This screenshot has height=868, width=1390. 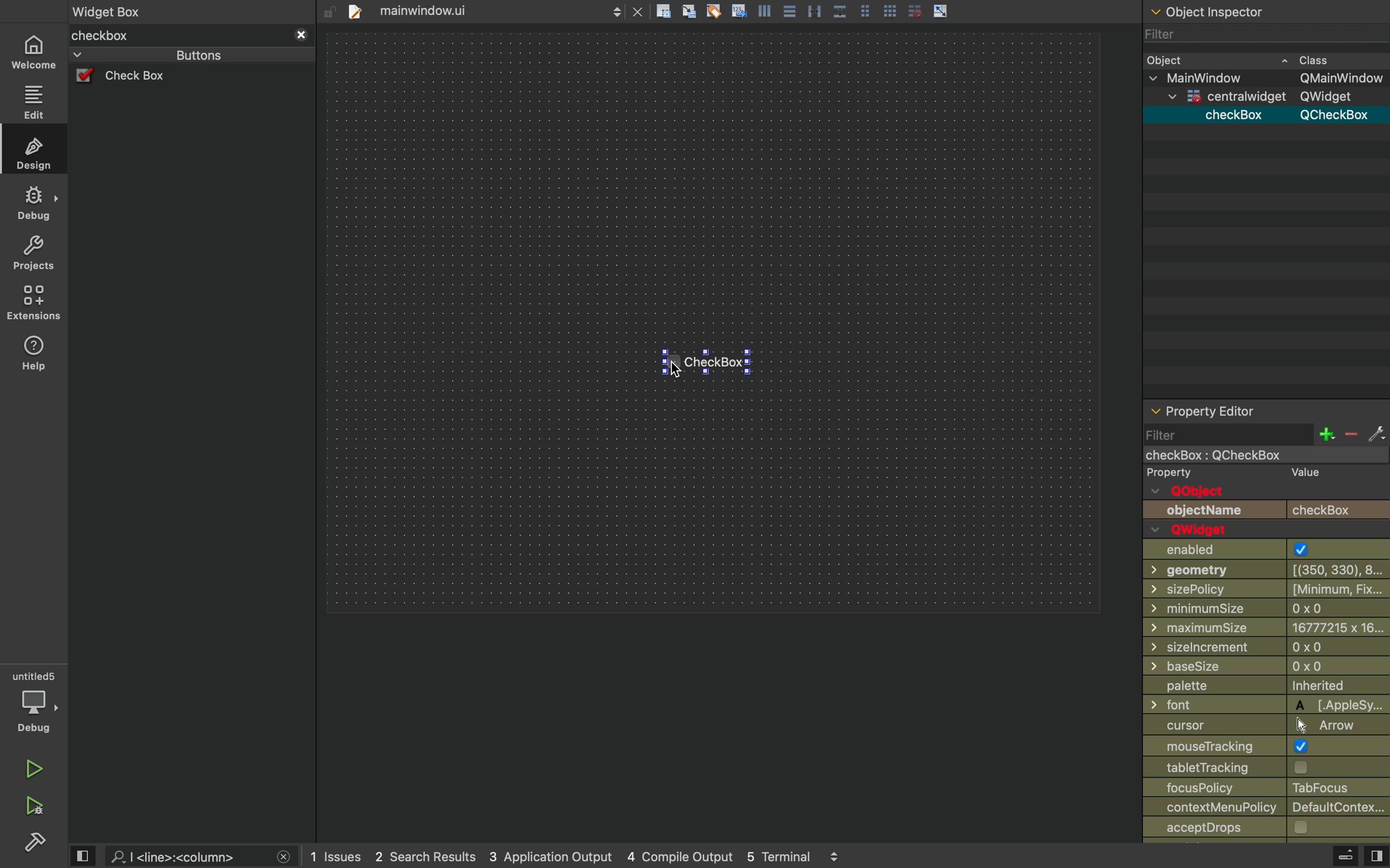 What do you see at coordinates (1266, 647) in the screenshot?
I see `size increment` at bounding box center [1266, 647].